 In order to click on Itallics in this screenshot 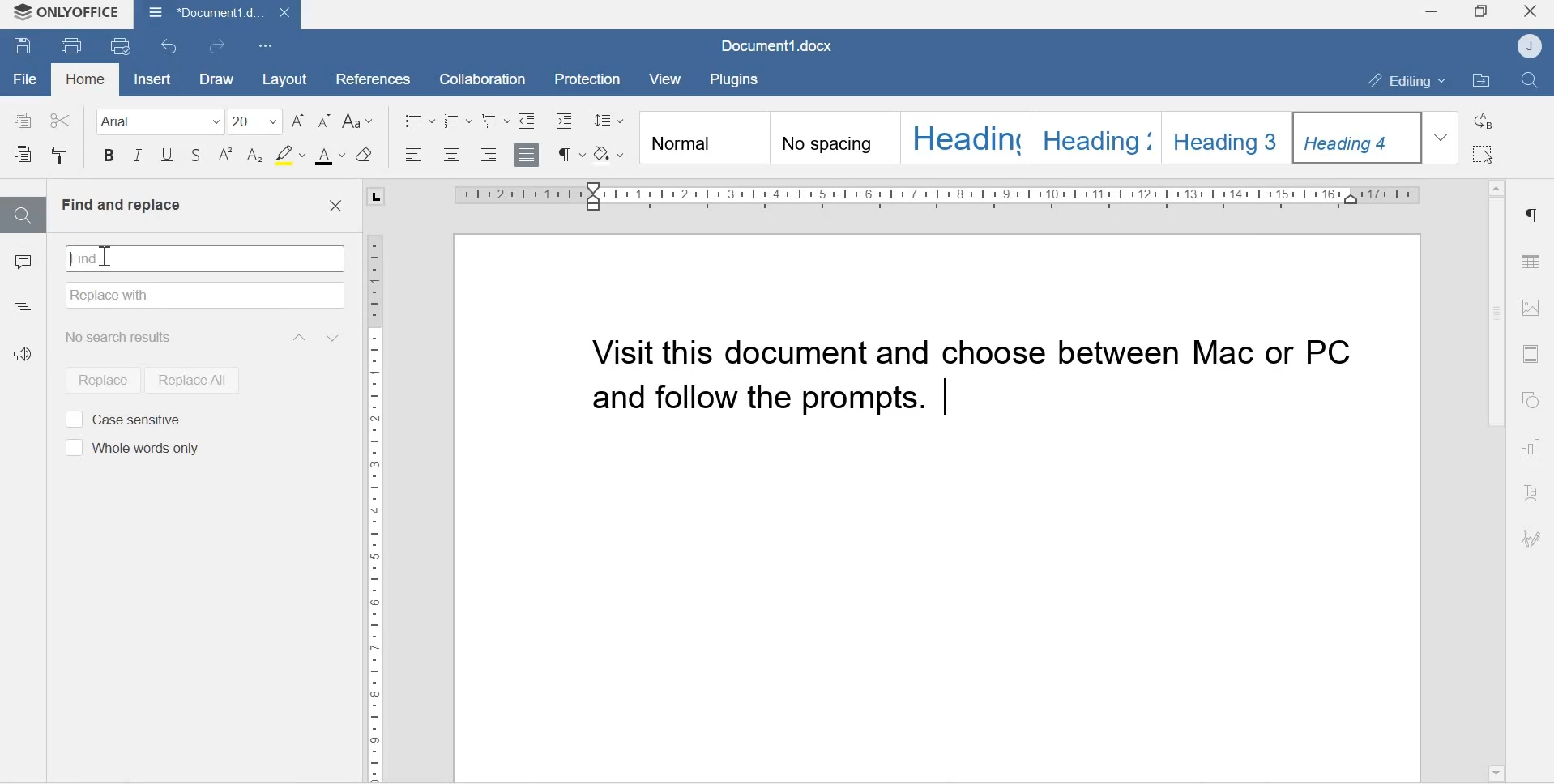, I will do `click(138, 157)`.